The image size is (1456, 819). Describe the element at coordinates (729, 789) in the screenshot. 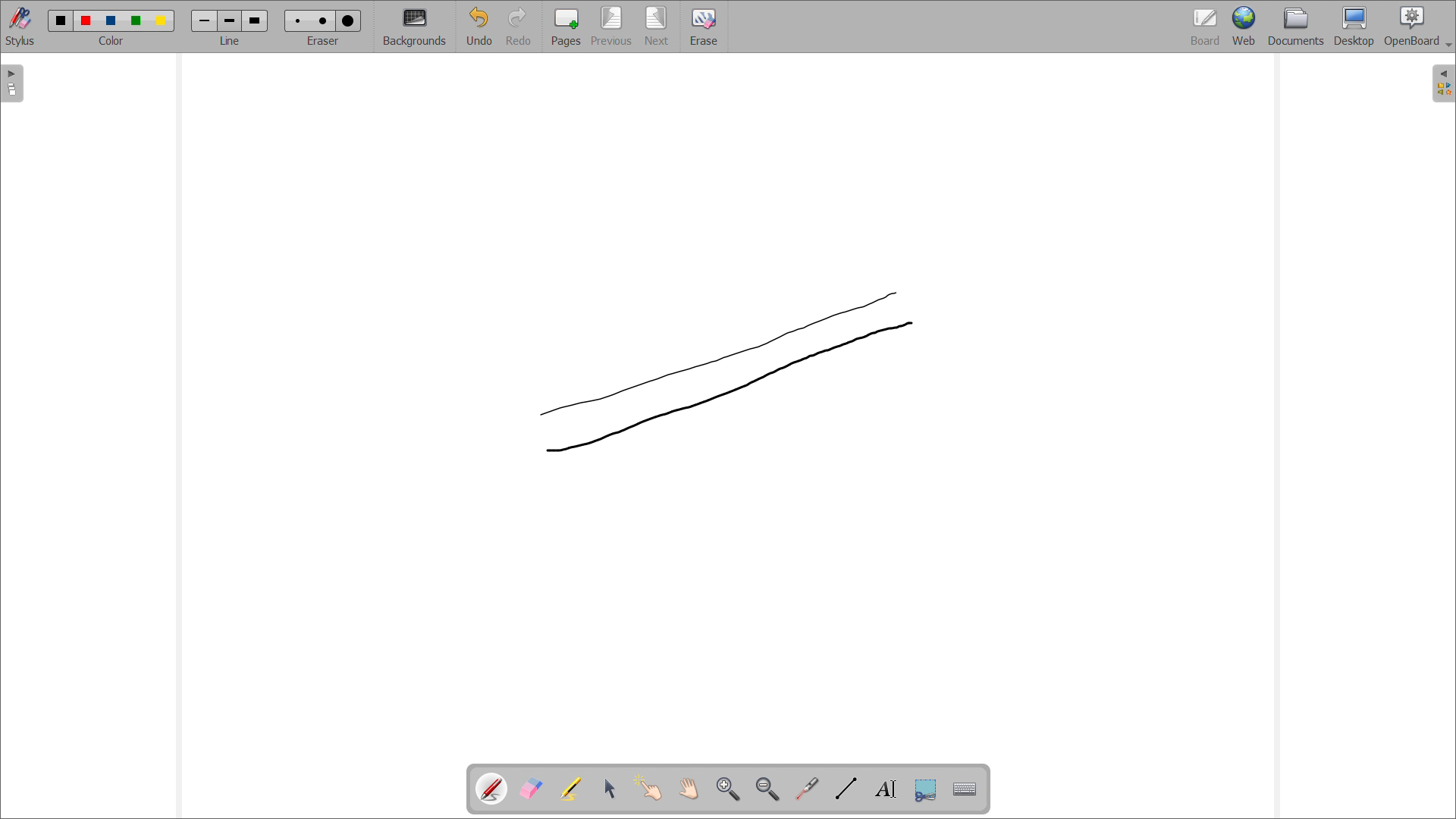

I see `zoom in` at that location.